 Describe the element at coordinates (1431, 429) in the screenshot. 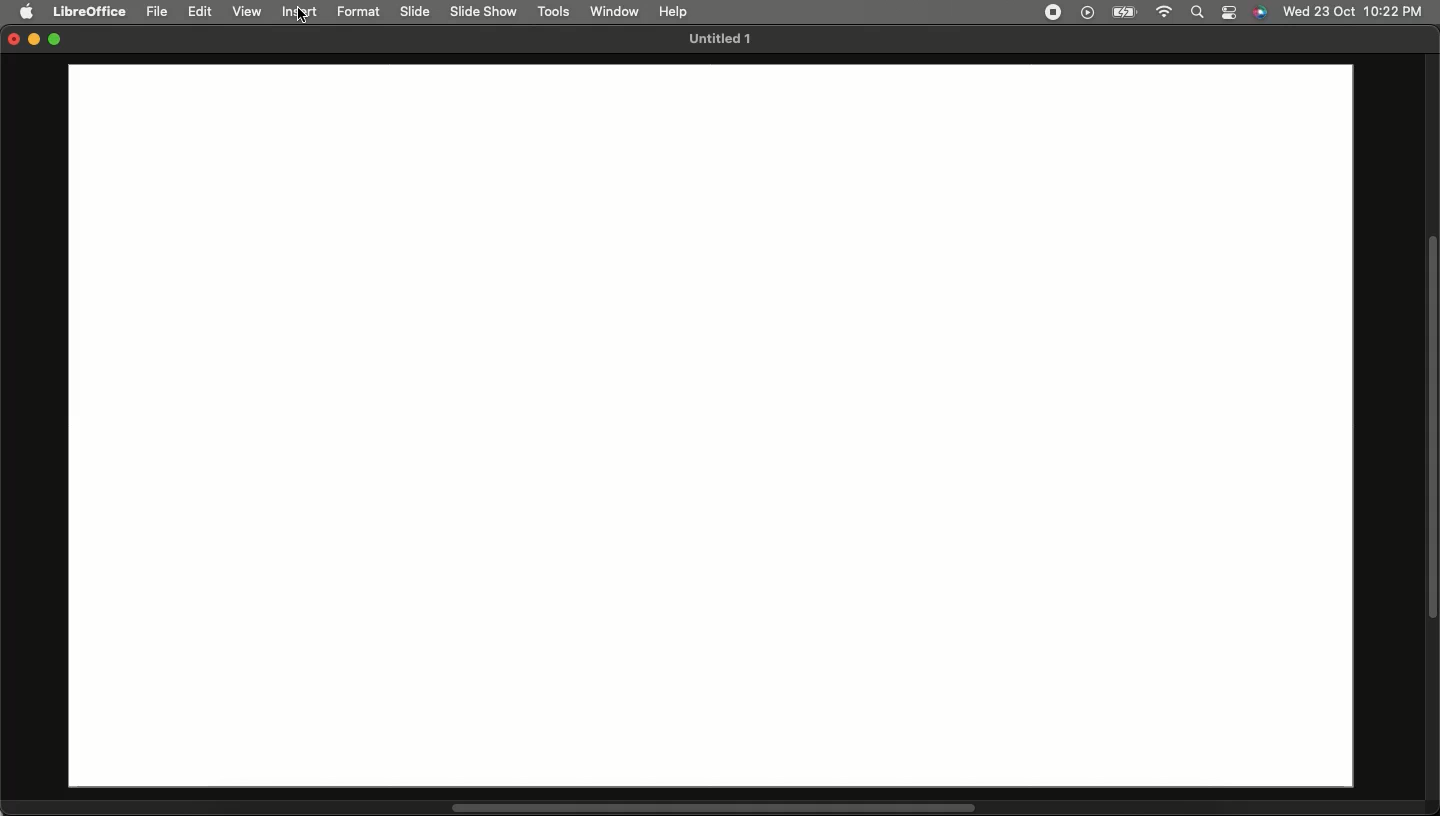

I see `Scroll` at that location.